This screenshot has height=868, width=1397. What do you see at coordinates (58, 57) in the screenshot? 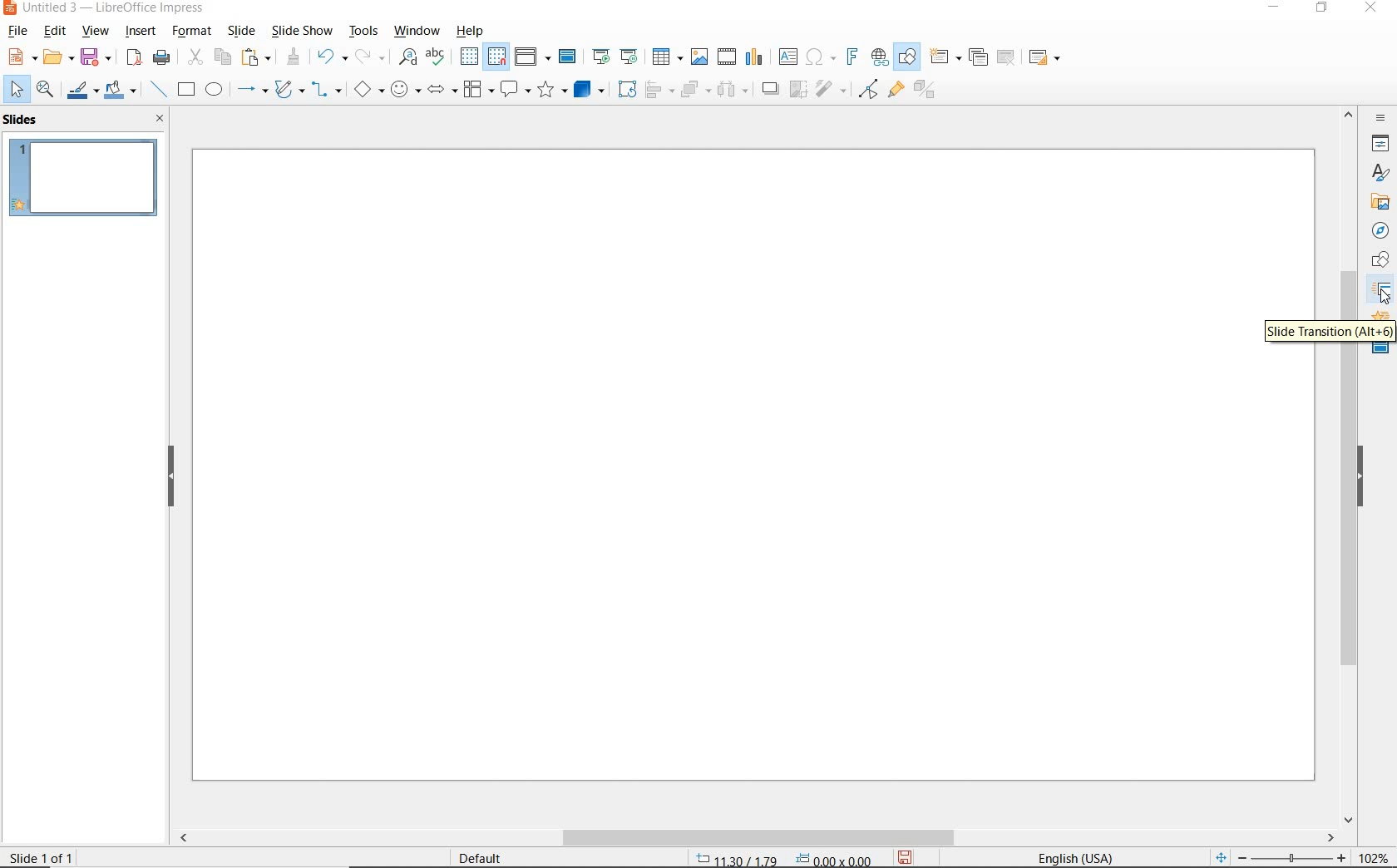
I see `OPEN` at bounding box center [58, 57].